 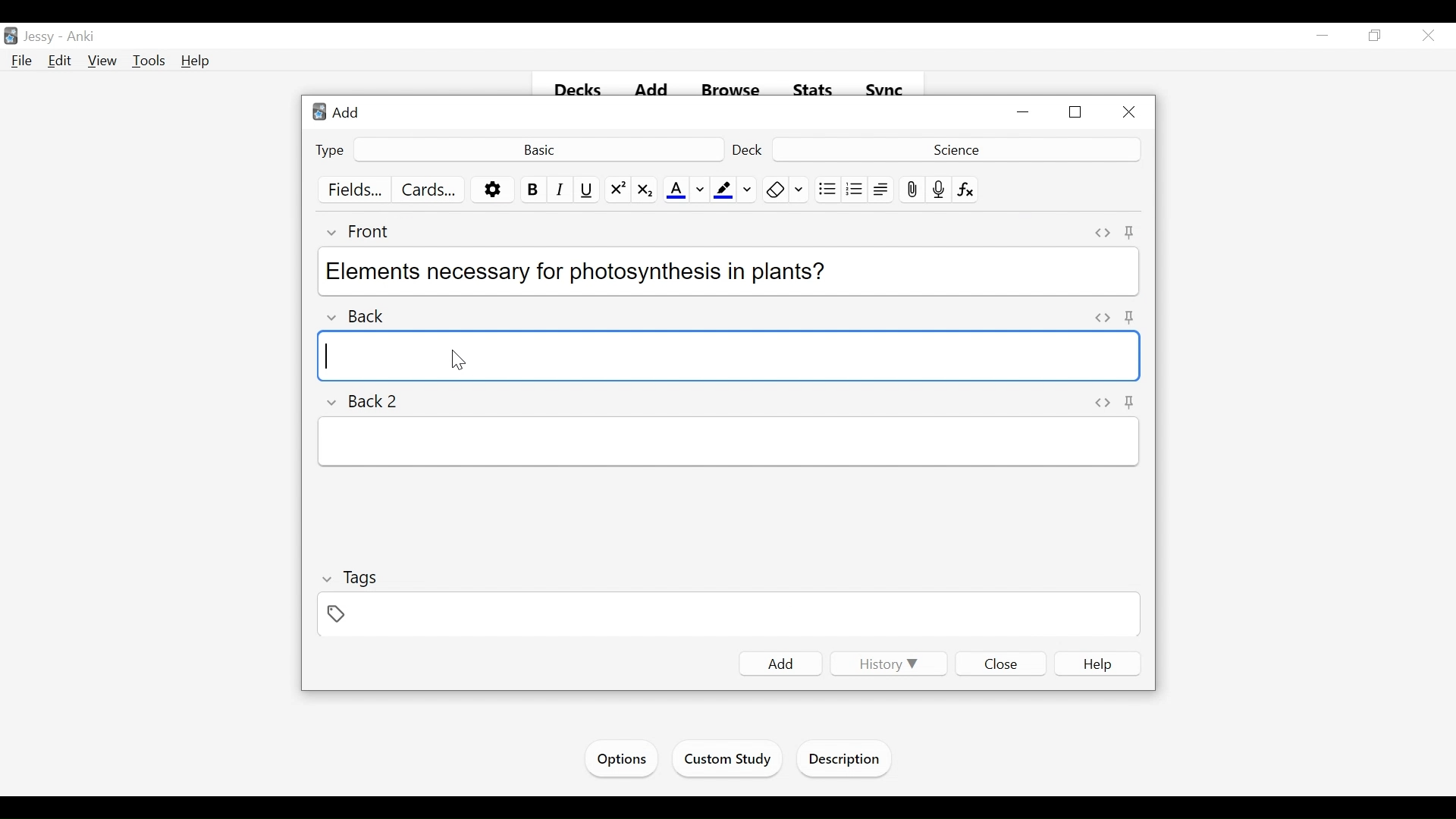 What do you see at coordinates (1100, 318) in the screenshot?
I see `Toggle HTML editor` at bounding box center [1100, 318].